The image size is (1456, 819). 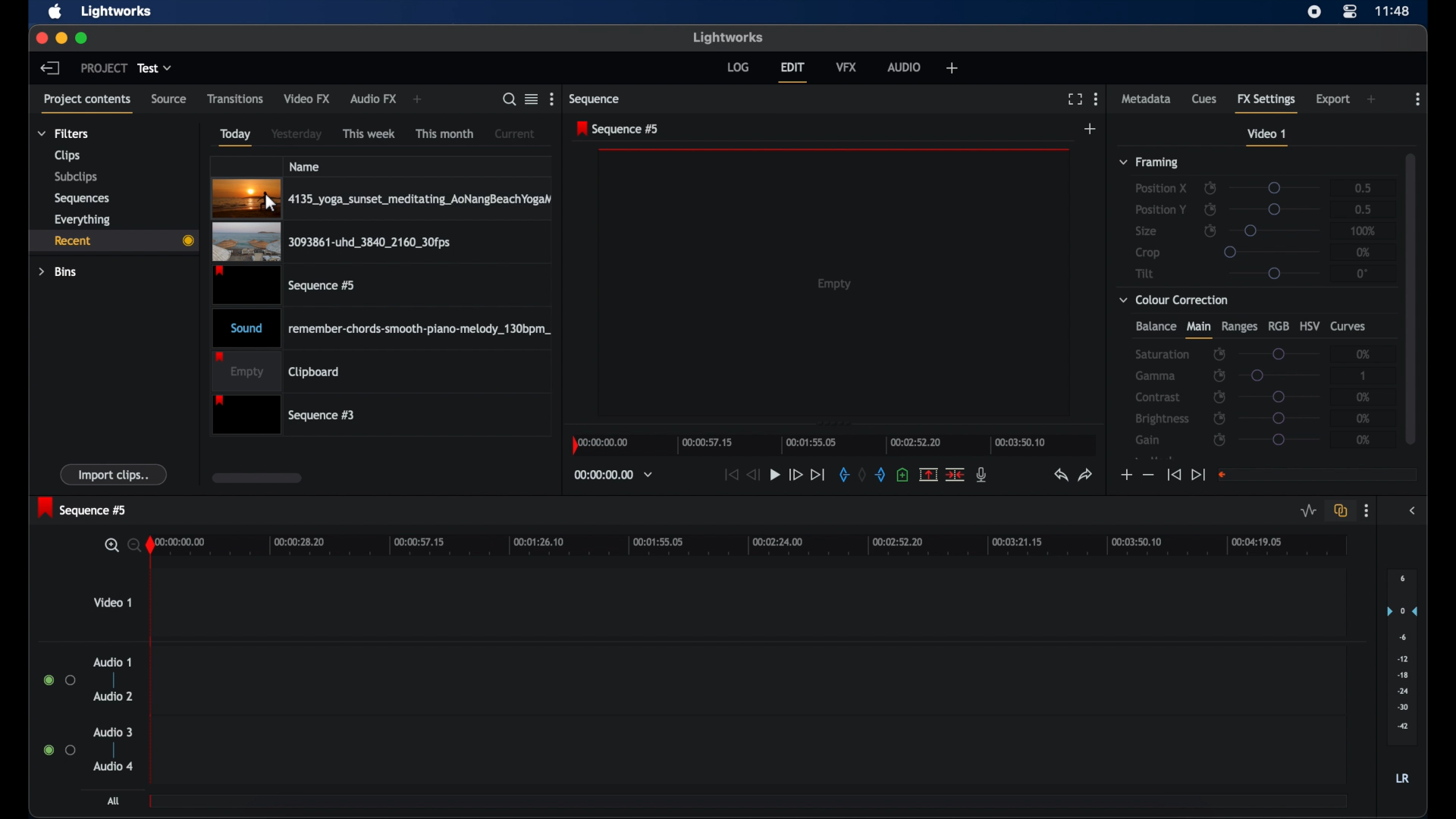 What do you see at coordinates (112, 765) in the screenshot?
I see `audio 4` at bounding box center [112, 765].